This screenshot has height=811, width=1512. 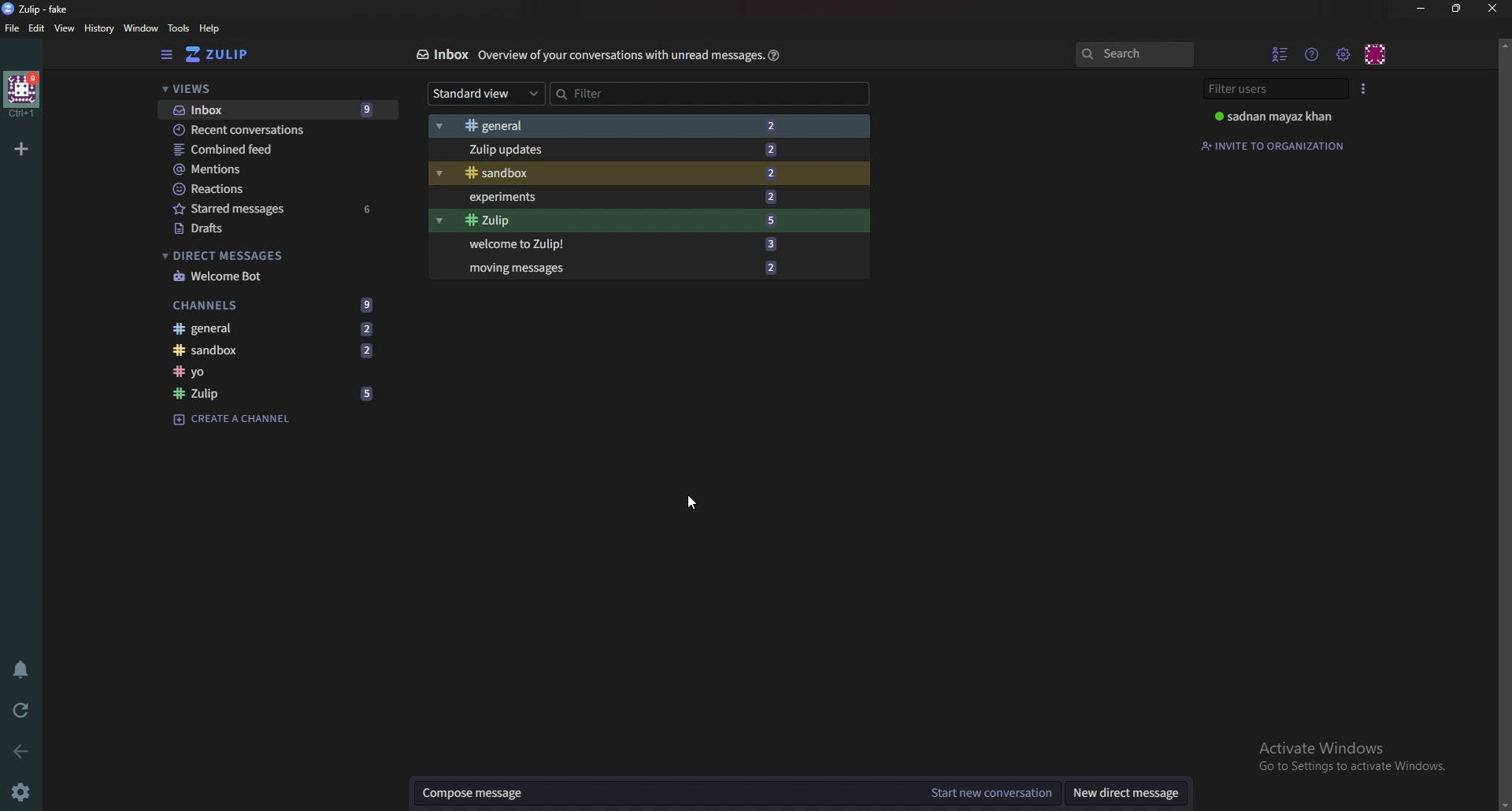 I want to click on welcome to Zulip, so click(x=627, y=243).